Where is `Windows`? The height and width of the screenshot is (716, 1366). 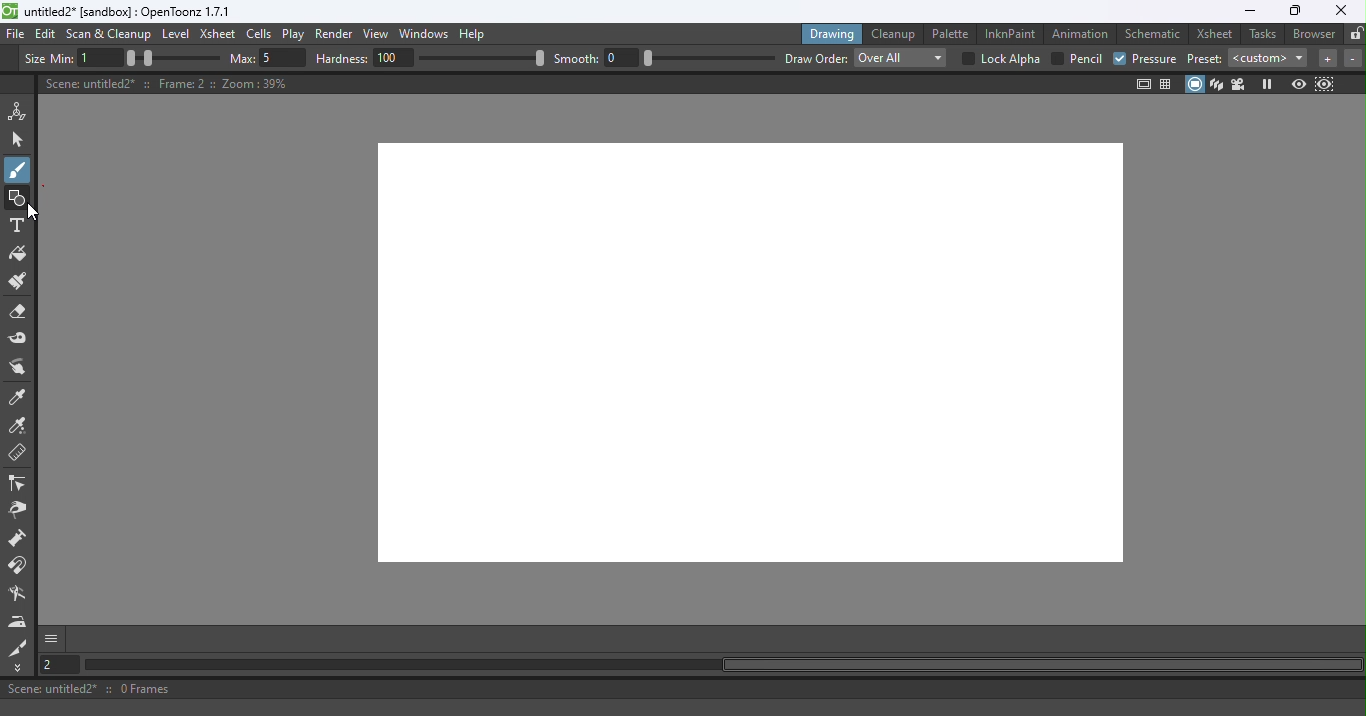
Windows is located at coordinates (425, 35).